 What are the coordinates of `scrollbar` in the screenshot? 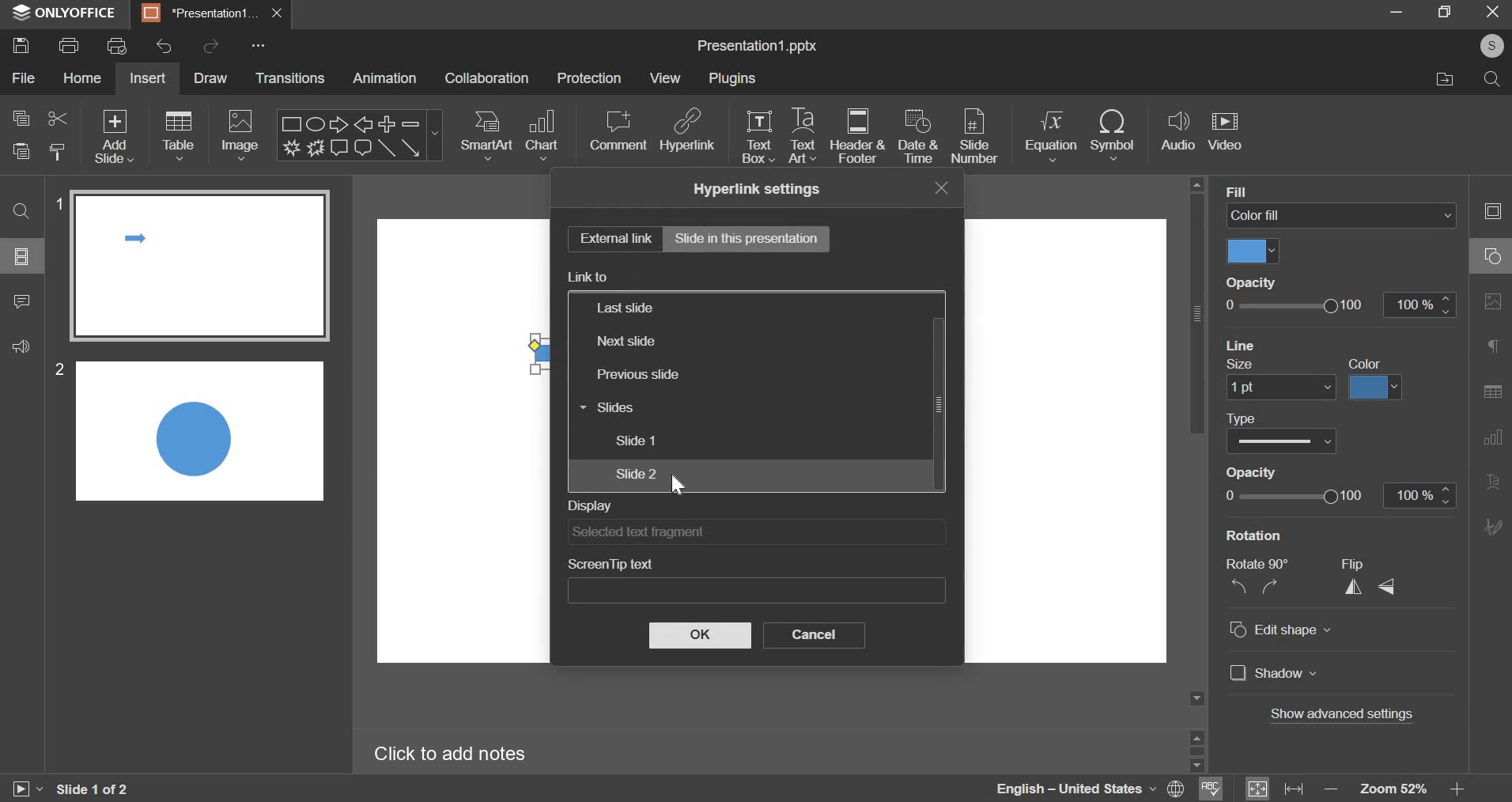 It's located at (939, 403).